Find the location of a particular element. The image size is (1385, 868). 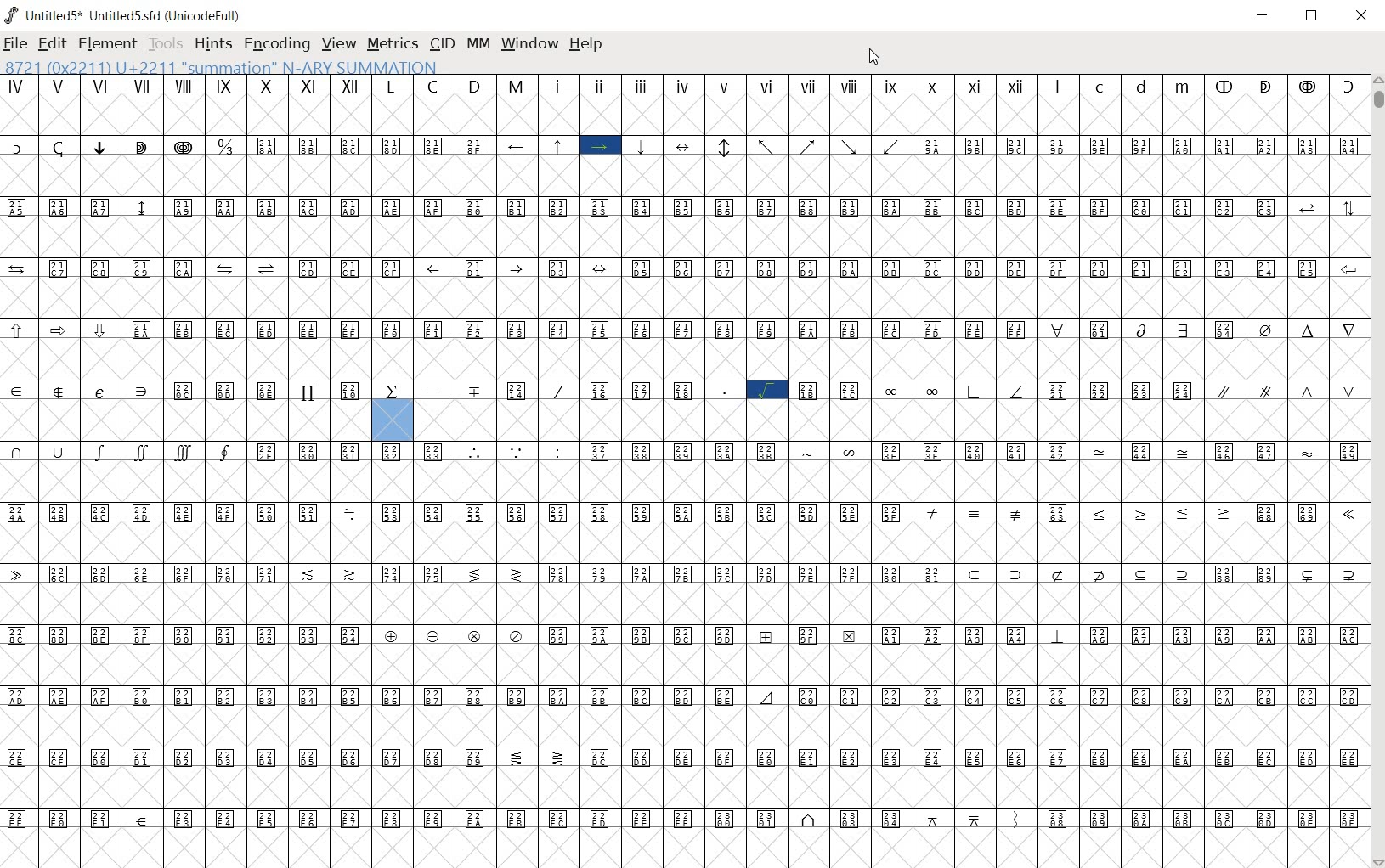

ELEMENT is located at coordinates (109, 43).